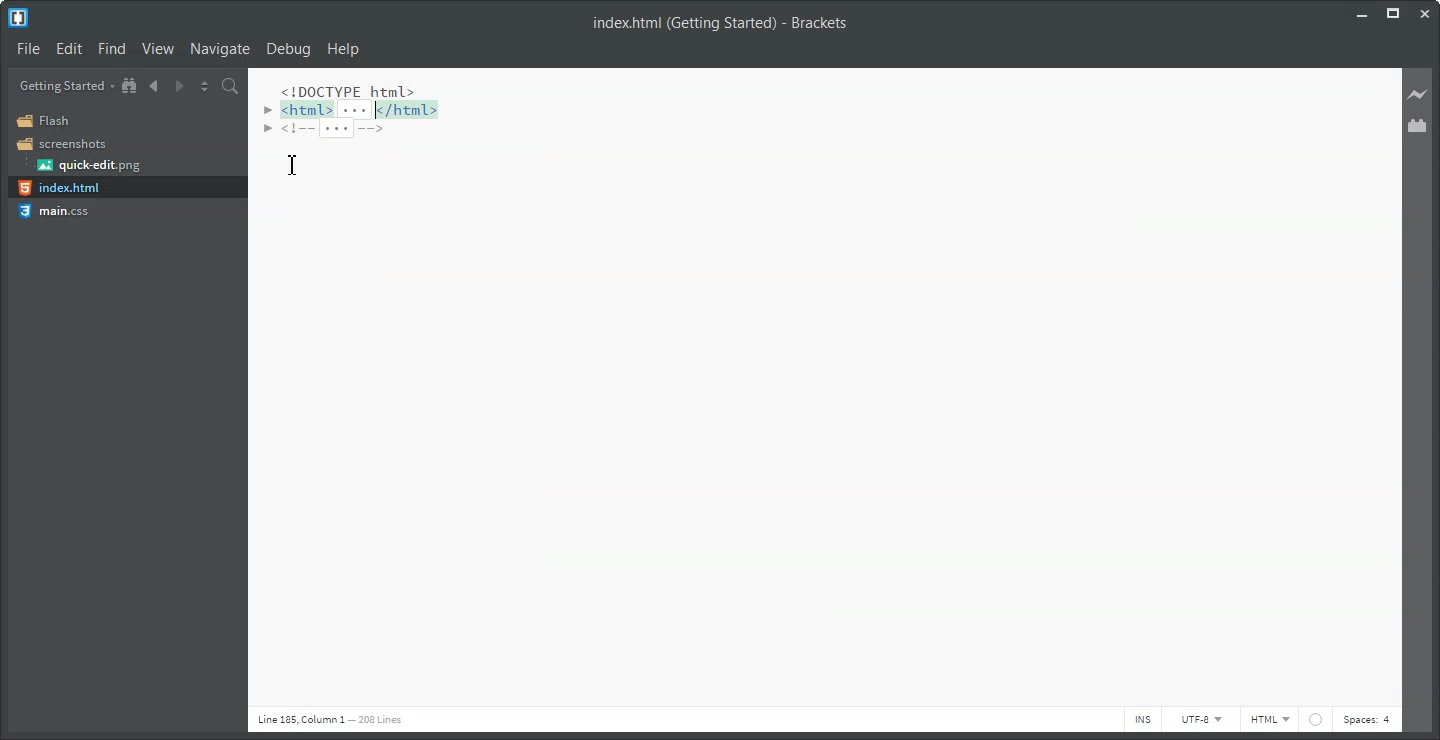 Image resolution: width=1440 pixels, height=740 pixels. I want to click on Show in the file tree, so click(130, 85).